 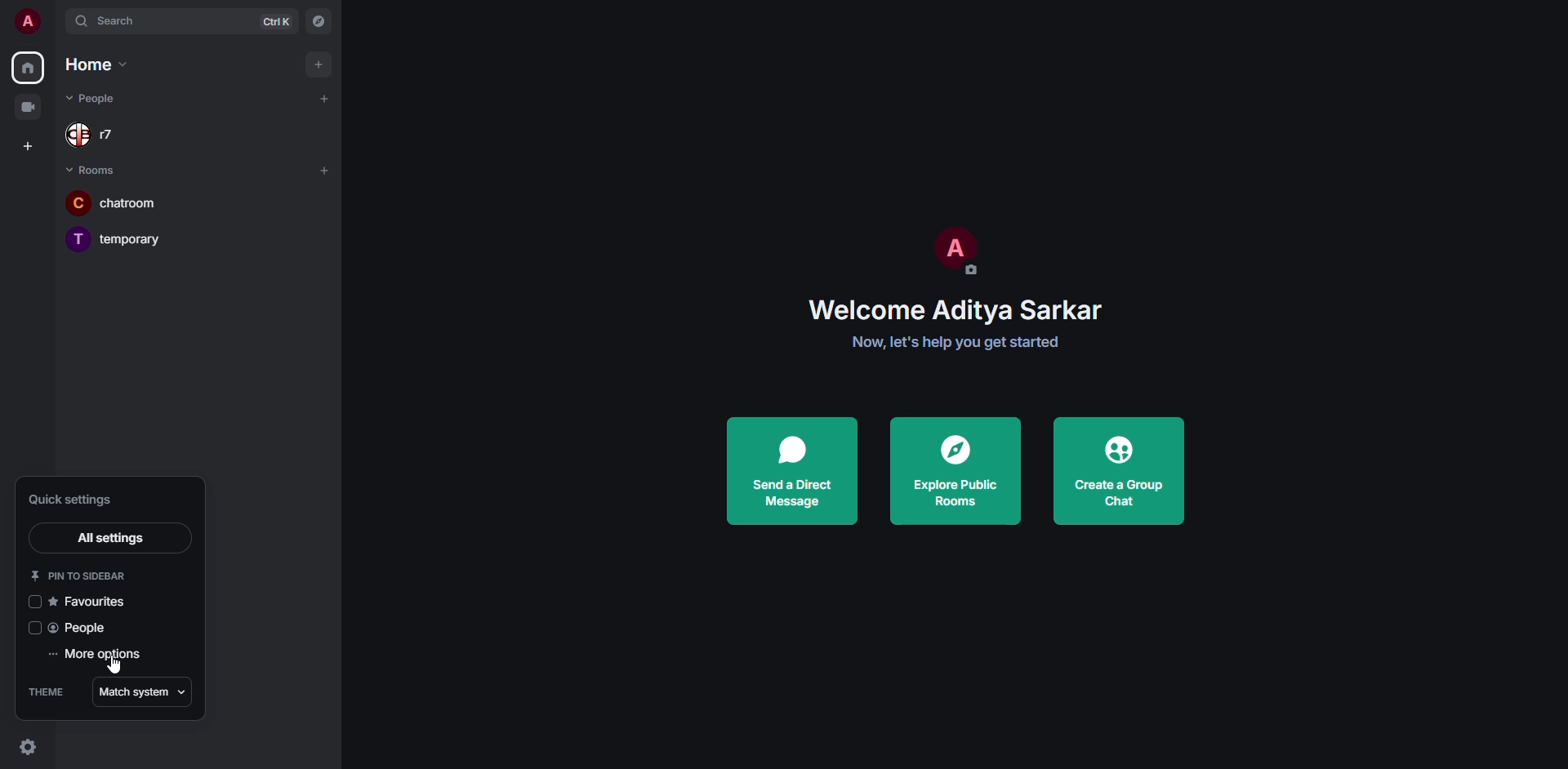 I want to click on expand, so click(x=55, y=20).